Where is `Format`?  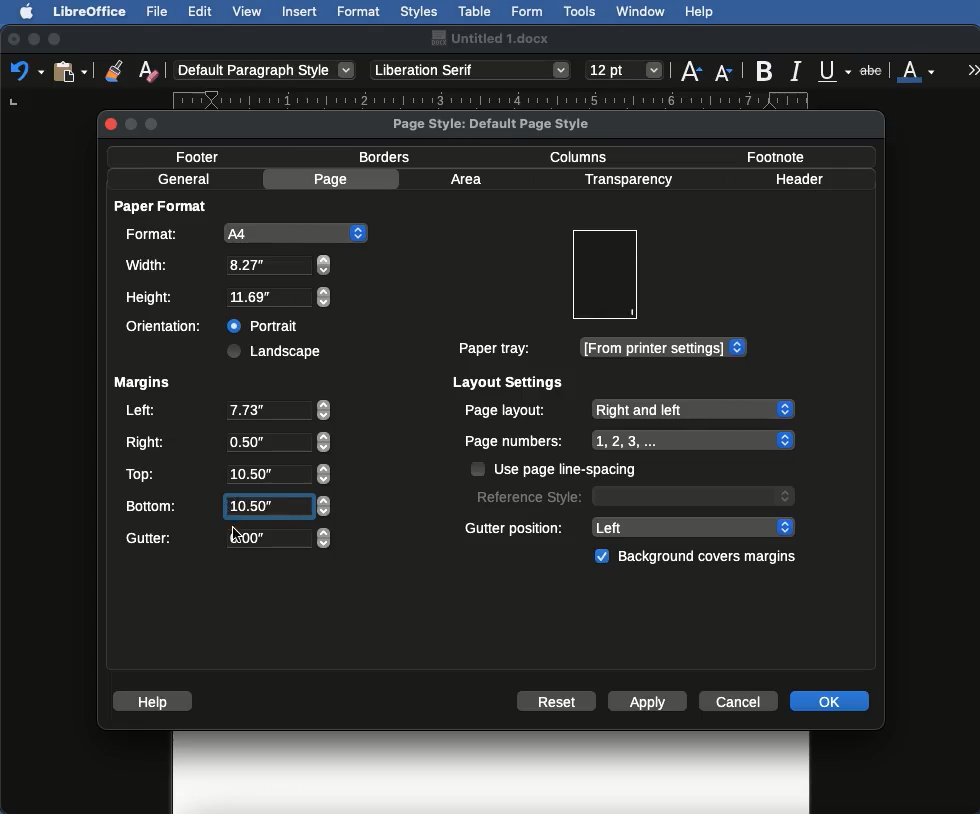 Format is located at coordinates (360, 12).